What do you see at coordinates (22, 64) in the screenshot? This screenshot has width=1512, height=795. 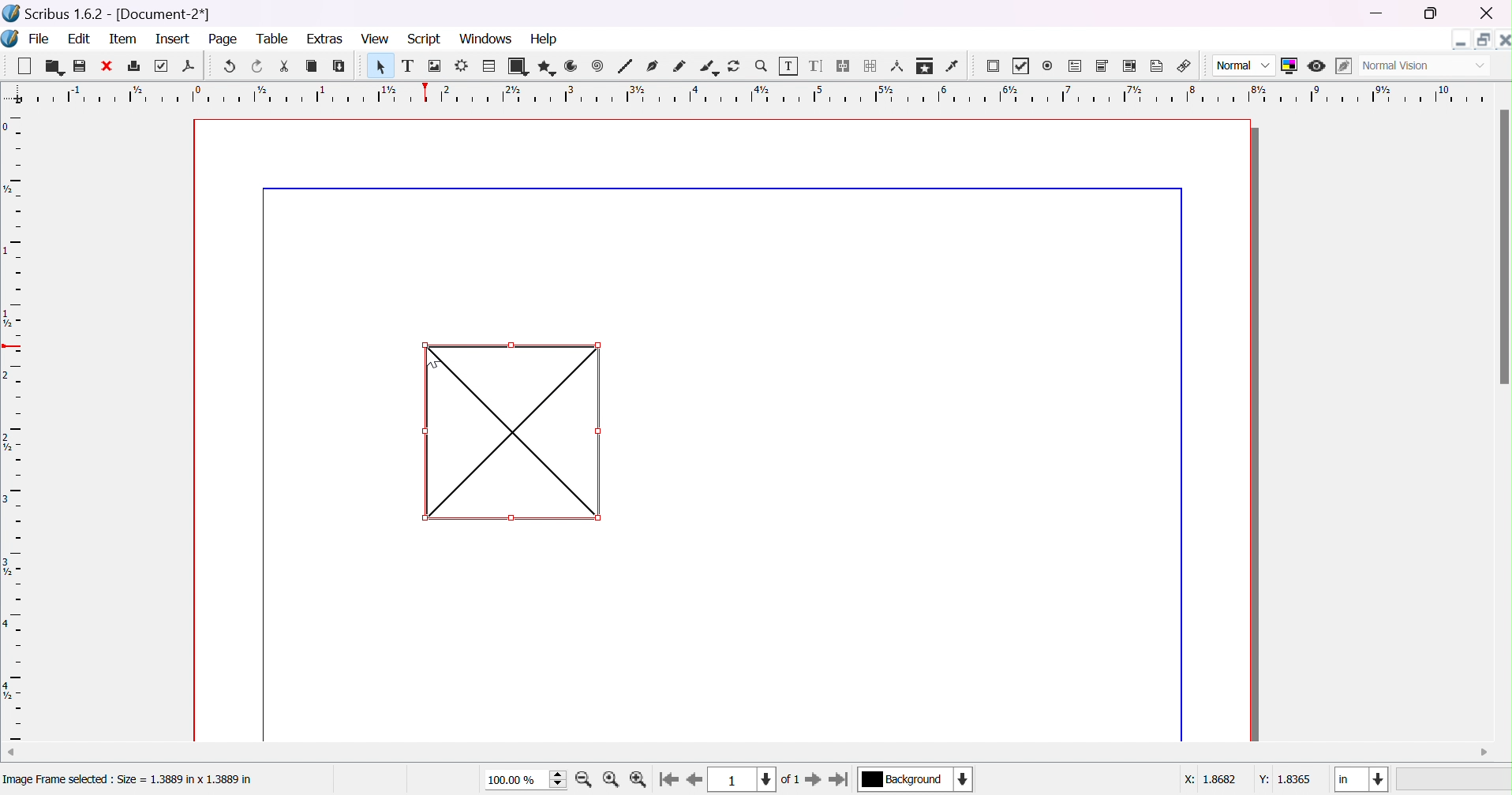 I see `new` at bounding box center [22, 64].